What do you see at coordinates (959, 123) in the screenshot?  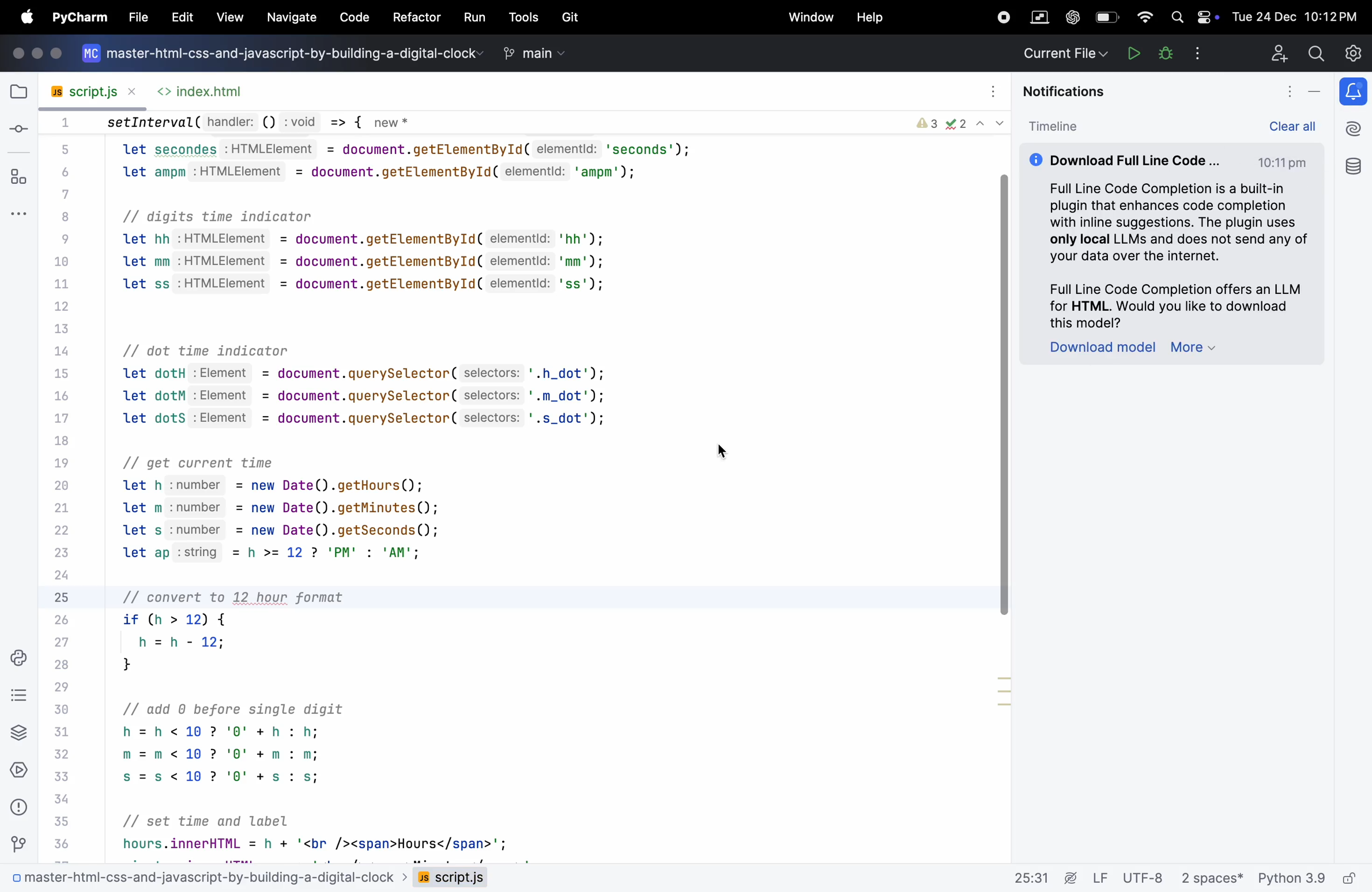 I see `error check` at bounding box center [959, 123].